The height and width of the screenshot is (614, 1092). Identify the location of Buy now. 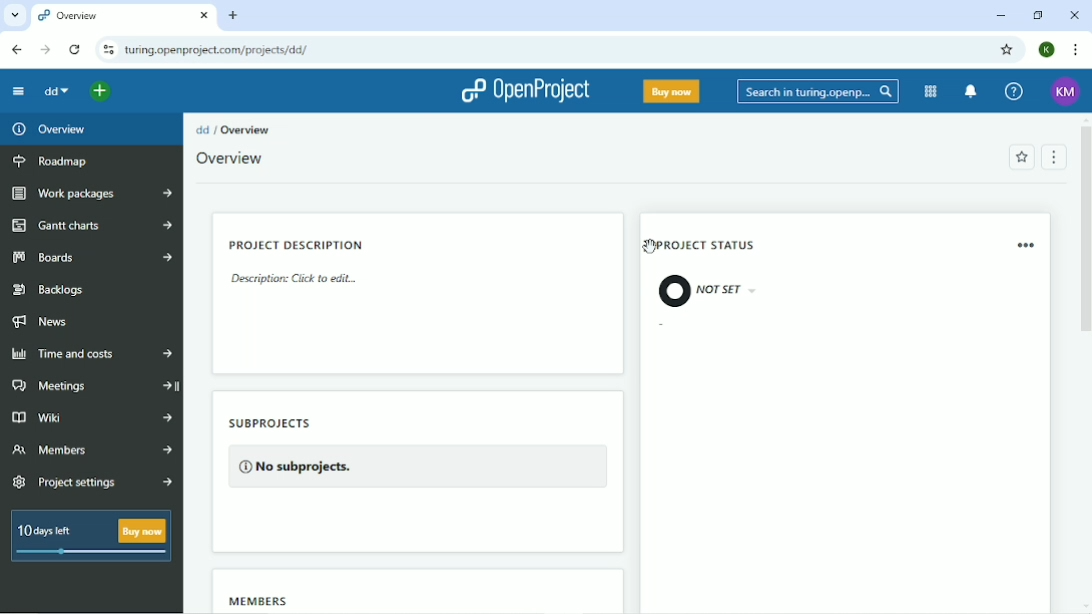
(672, 91).